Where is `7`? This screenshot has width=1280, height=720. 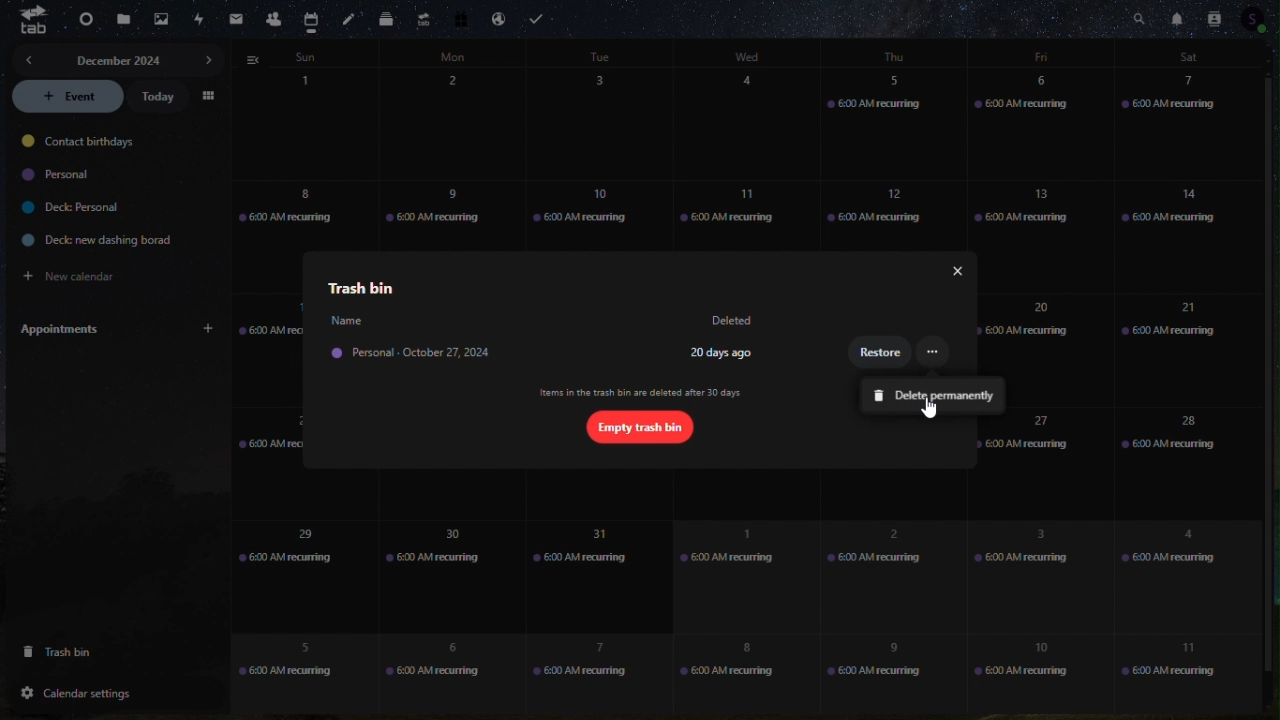
7 is located at coordinates (1190, 128).